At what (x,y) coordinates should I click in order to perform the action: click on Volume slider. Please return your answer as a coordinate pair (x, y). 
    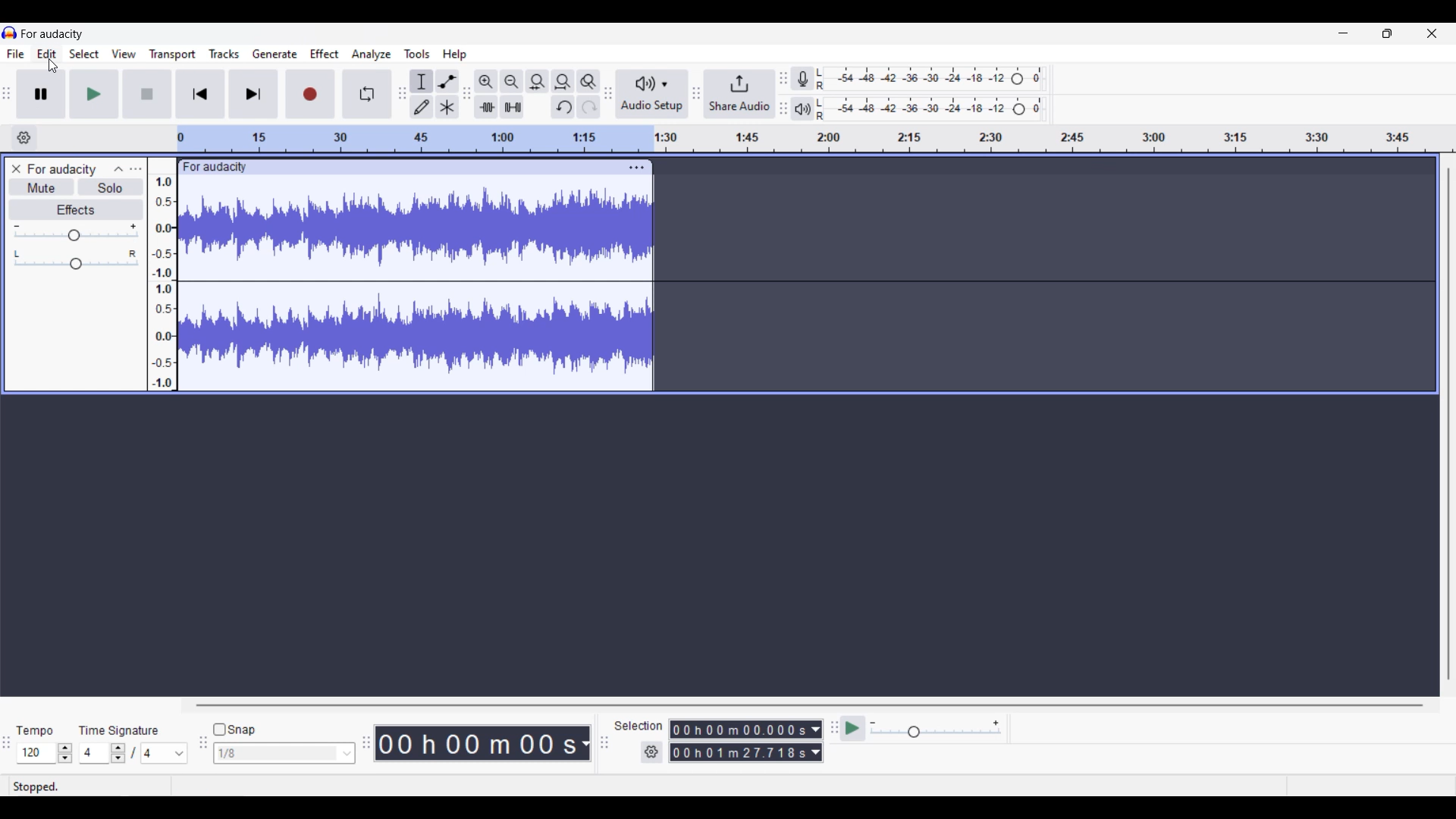
    Looking at the image, I should click on (75, 233).